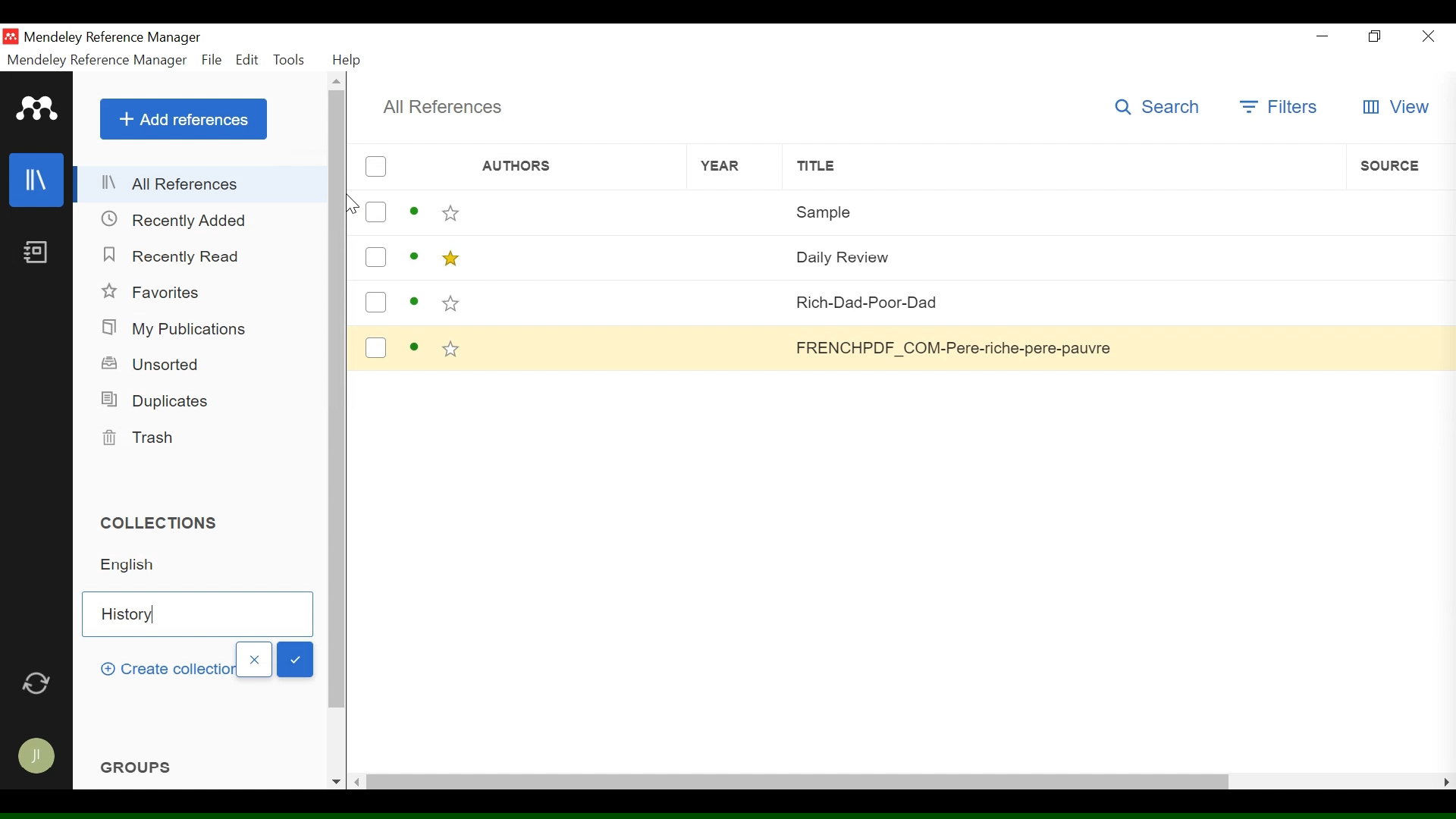 The height and width of the screenshot is (819, 1456). I want to click on Year, so click(735, 168).